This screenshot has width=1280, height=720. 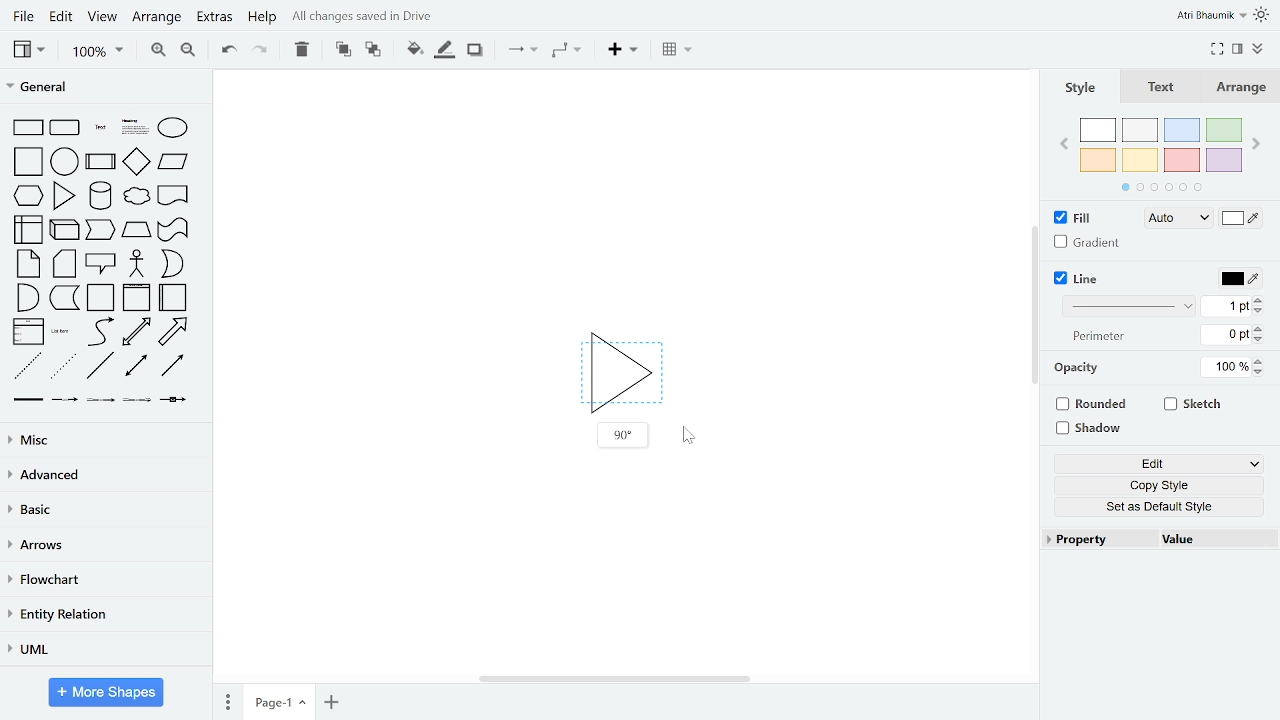 I want to click on appearence, so click(x=1263, y=15).